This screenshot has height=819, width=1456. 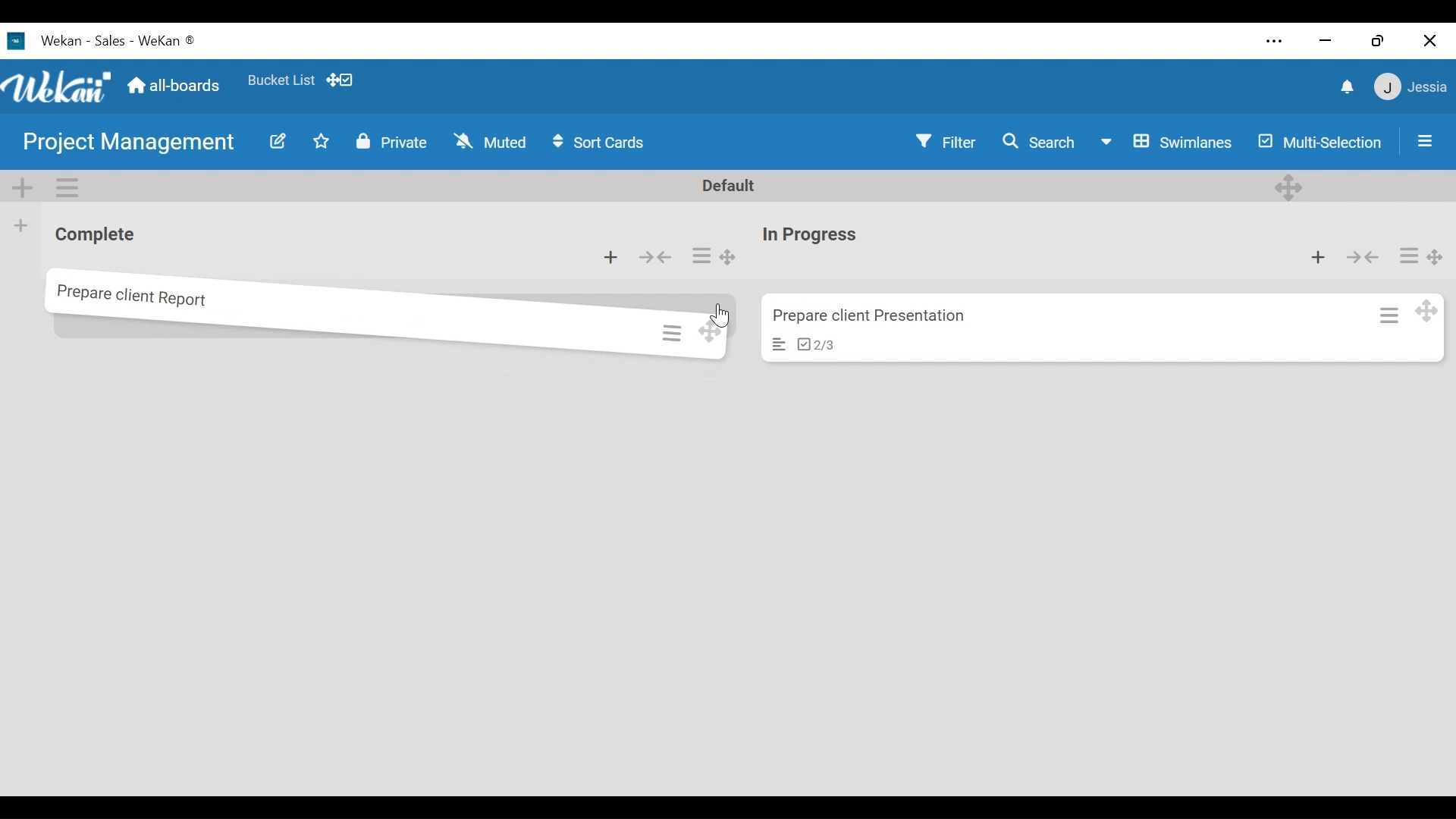 I want to click on Multi-Selection, so click(x=1319, y=144).